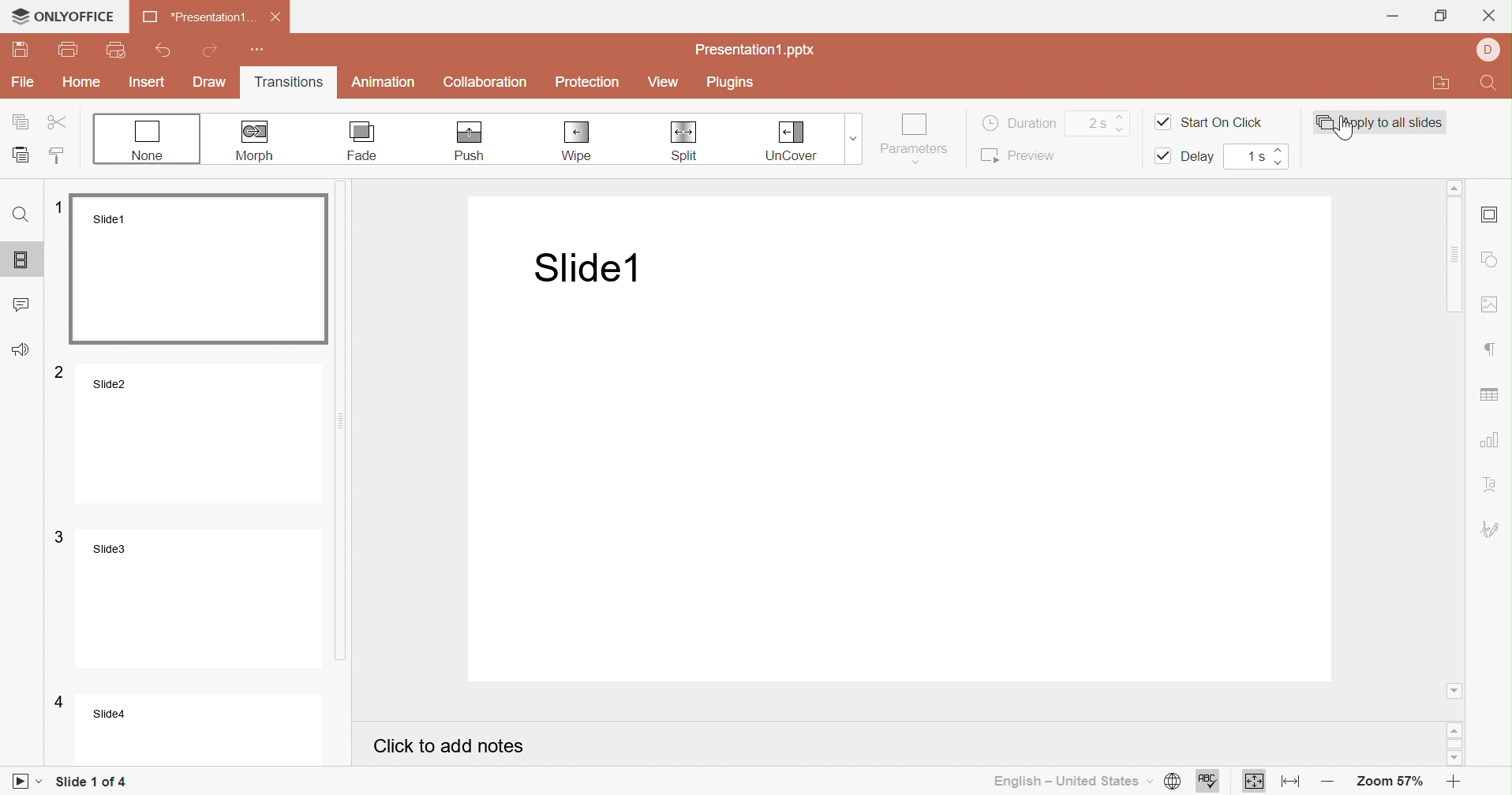 The image size is (1512, 795). Describe the element at coordinates (1391, 783) in the screenshot. I see `Zoom 57%` at that location.